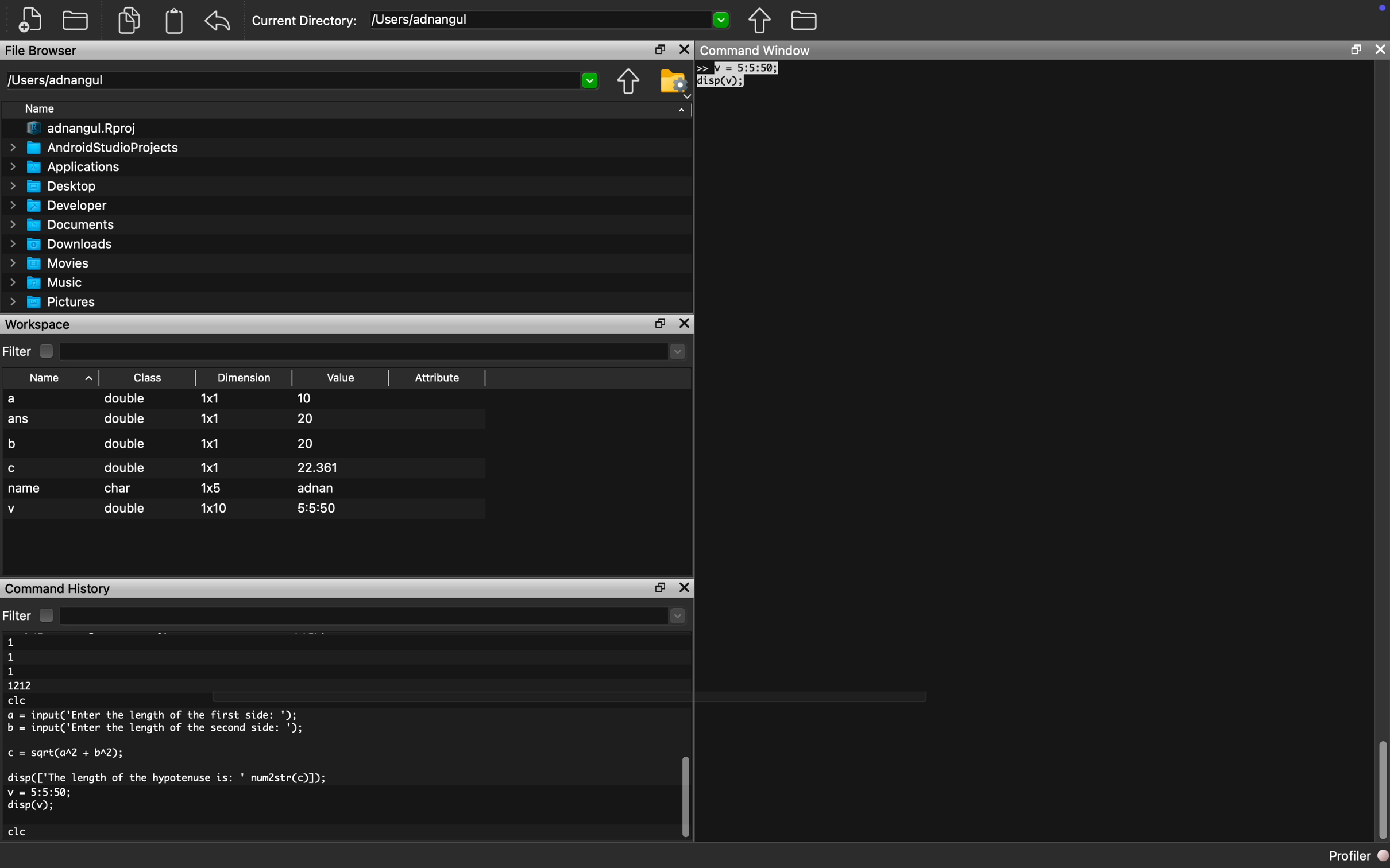 The width and height of the screenshot is (1390, 868). Describe the element at coordinates (31, 18) in the screenshot. I see `New file` at that location.